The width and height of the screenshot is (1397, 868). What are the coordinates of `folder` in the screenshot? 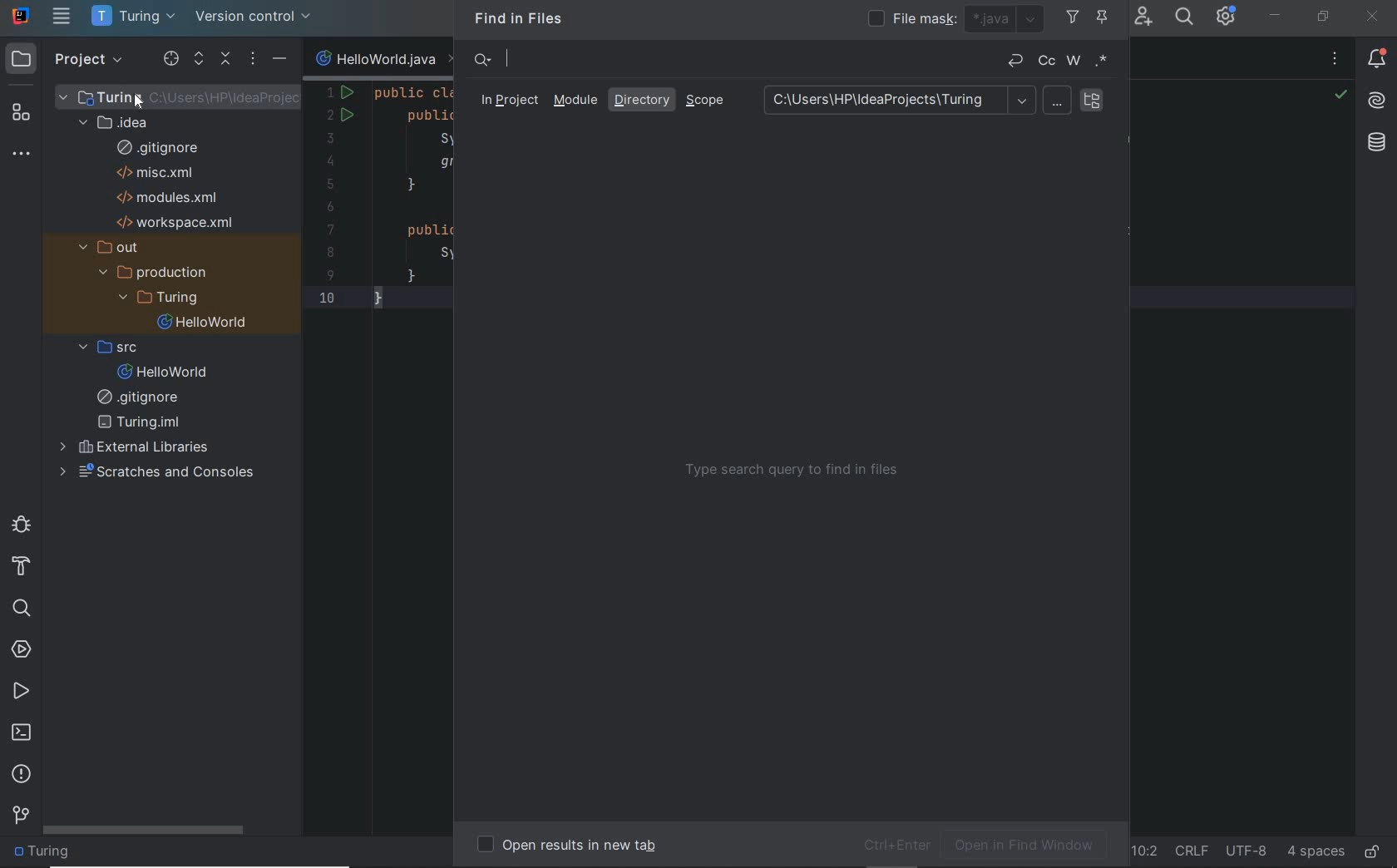 It's located at (50, 853).